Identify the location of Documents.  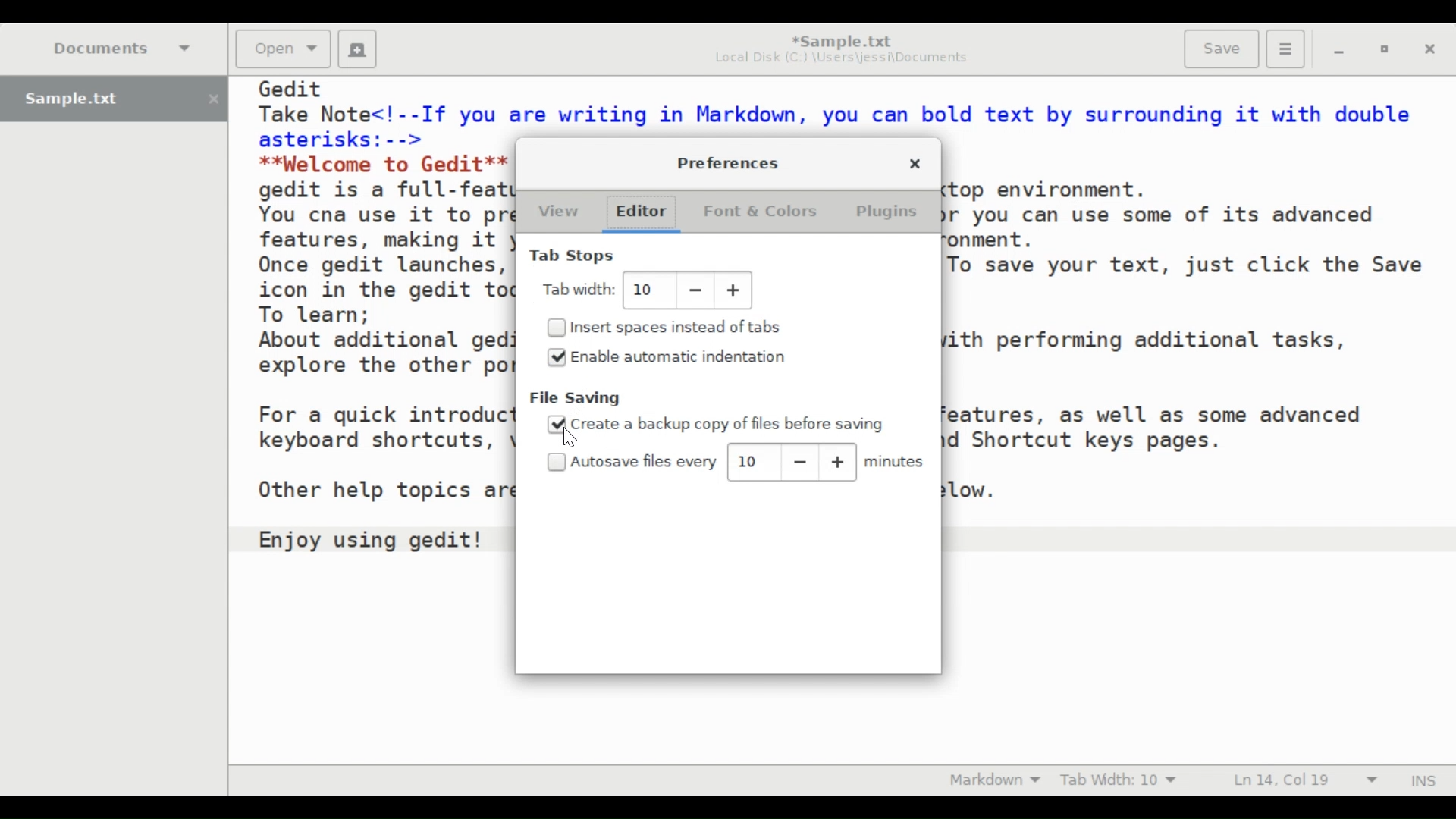
(124, 48).